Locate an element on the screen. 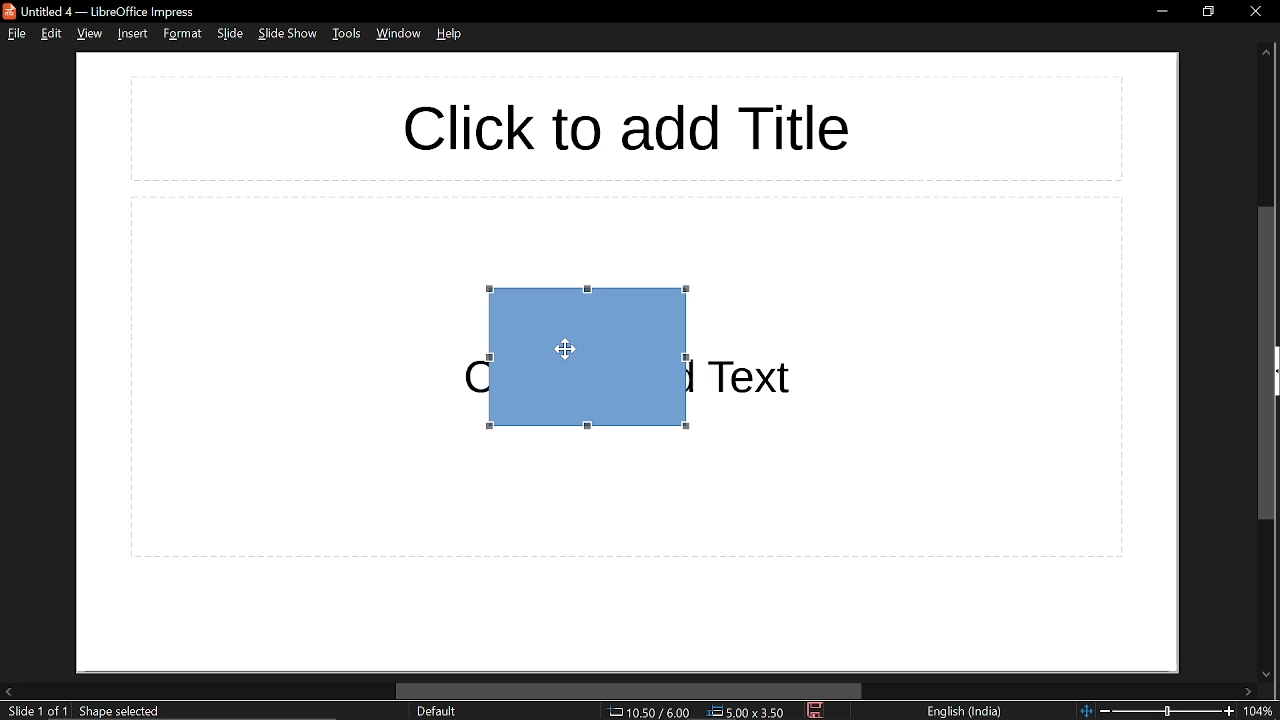 The width and height of the screenshot is (1280, 720). shape info is located at coordinates (122, 711).